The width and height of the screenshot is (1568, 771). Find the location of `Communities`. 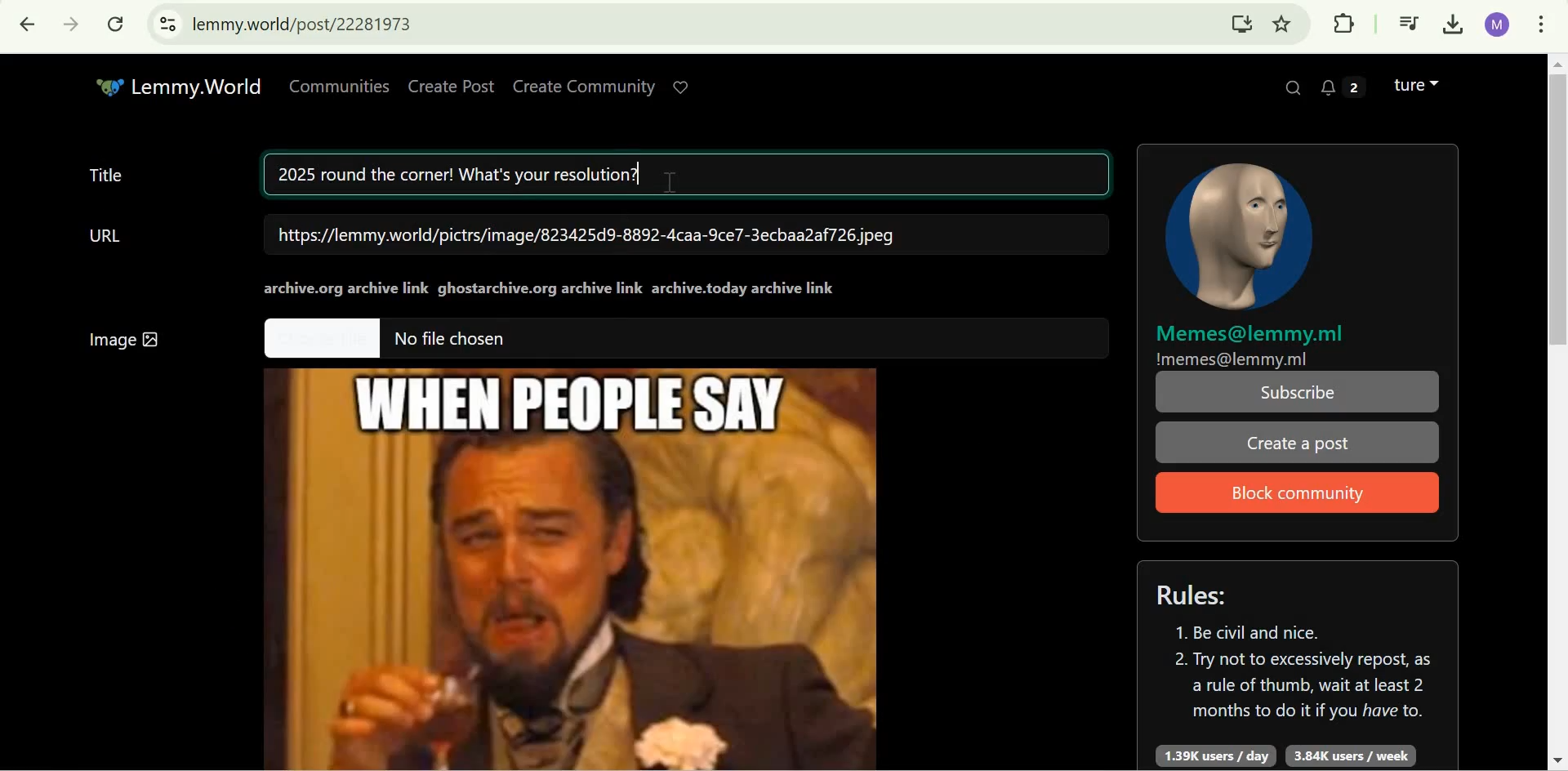

Communities is located at coordinates (339, 87).